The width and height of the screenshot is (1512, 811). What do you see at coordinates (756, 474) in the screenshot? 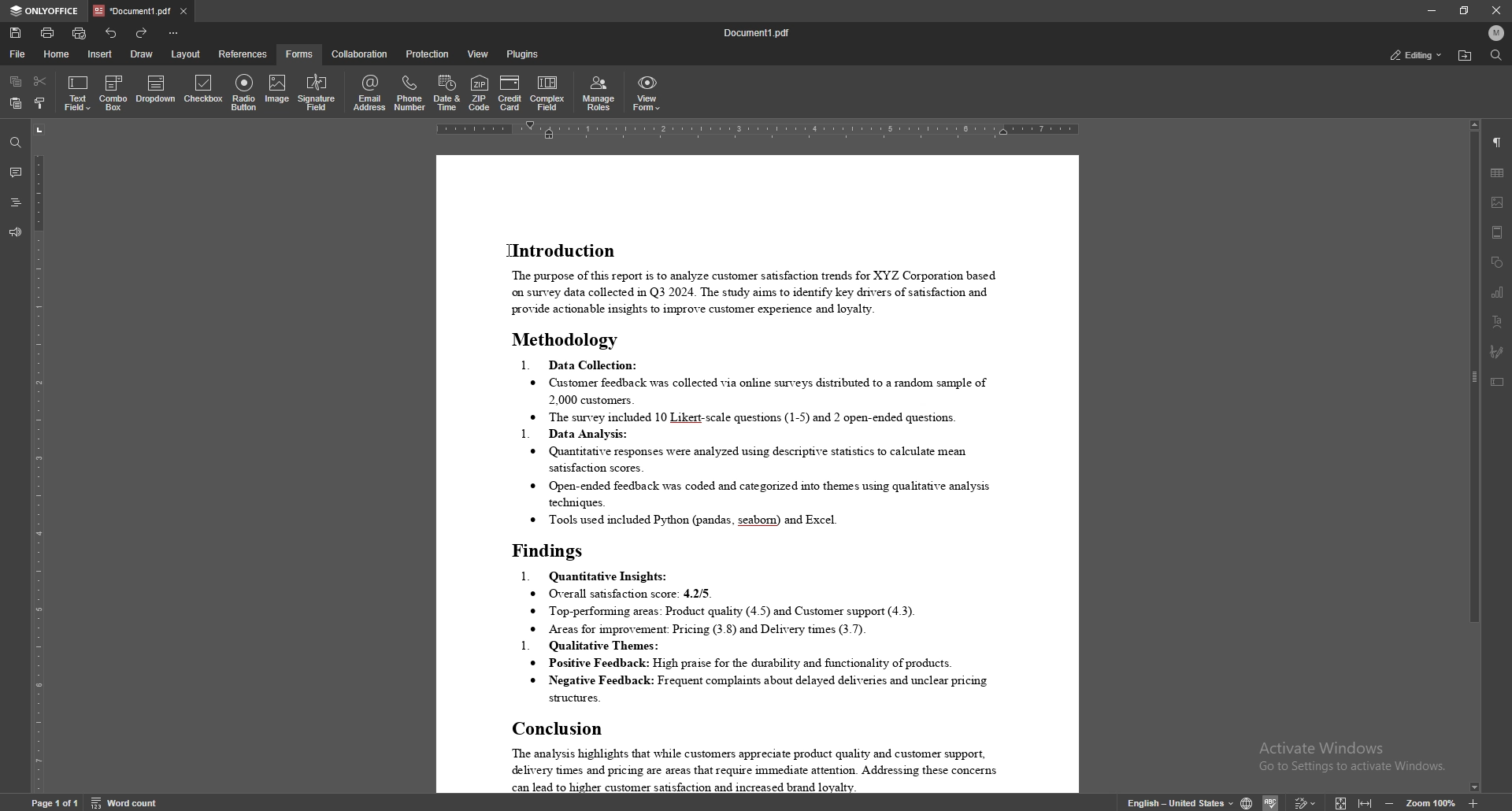
I see `document` at bounding box center [756, 474].